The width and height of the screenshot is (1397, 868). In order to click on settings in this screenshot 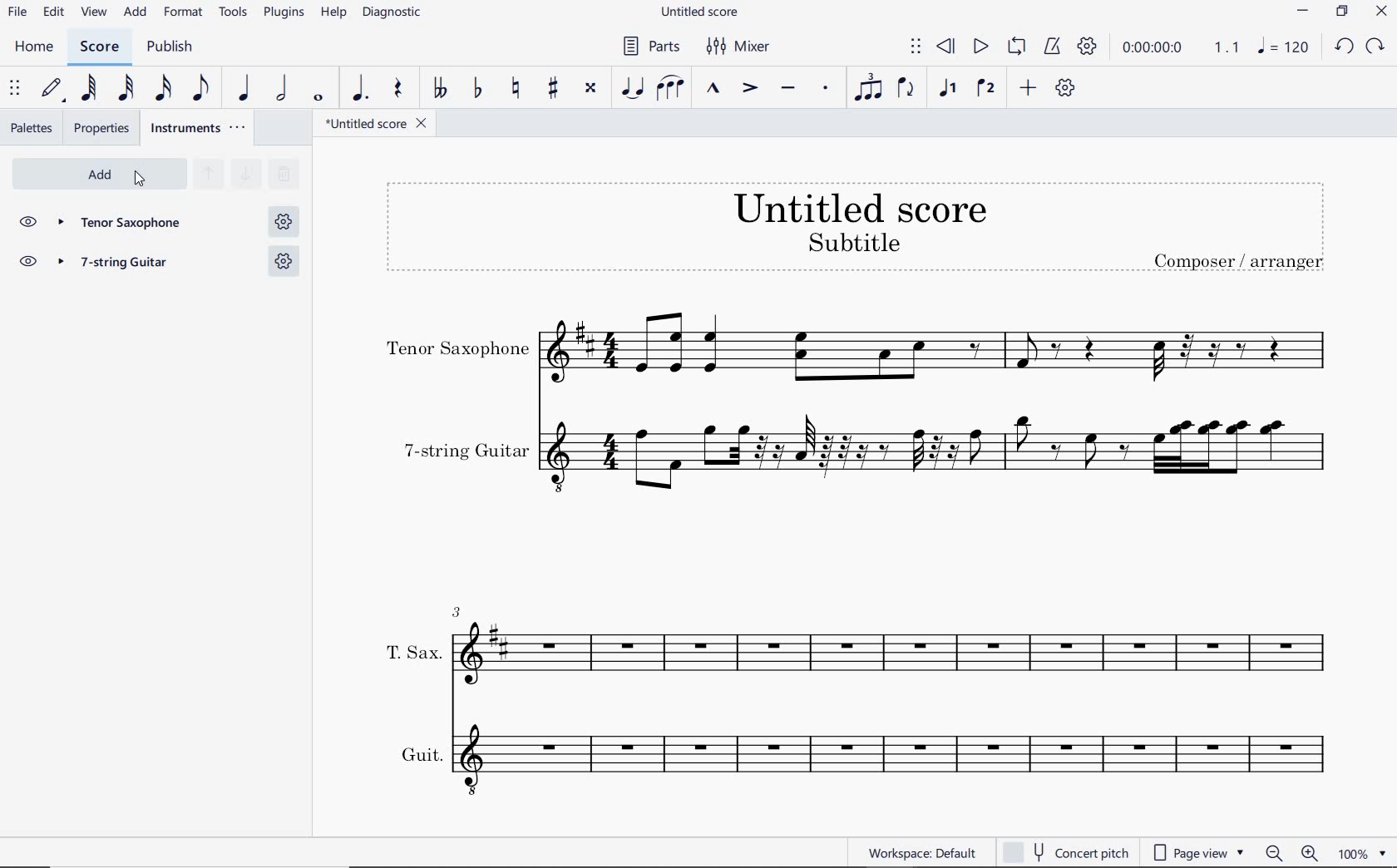, I will do `click(284, 220)`.